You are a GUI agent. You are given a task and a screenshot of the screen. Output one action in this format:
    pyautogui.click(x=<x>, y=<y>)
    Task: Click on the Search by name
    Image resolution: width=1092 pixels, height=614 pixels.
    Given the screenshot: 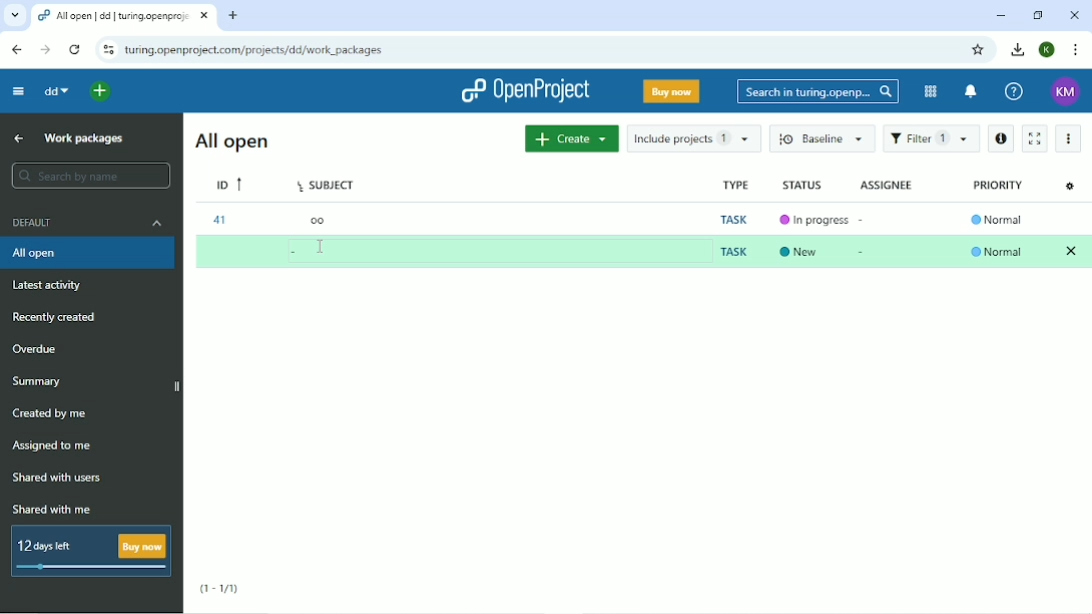 What is the action you would take?
    pyautogui.click(x=90, y=175)
    